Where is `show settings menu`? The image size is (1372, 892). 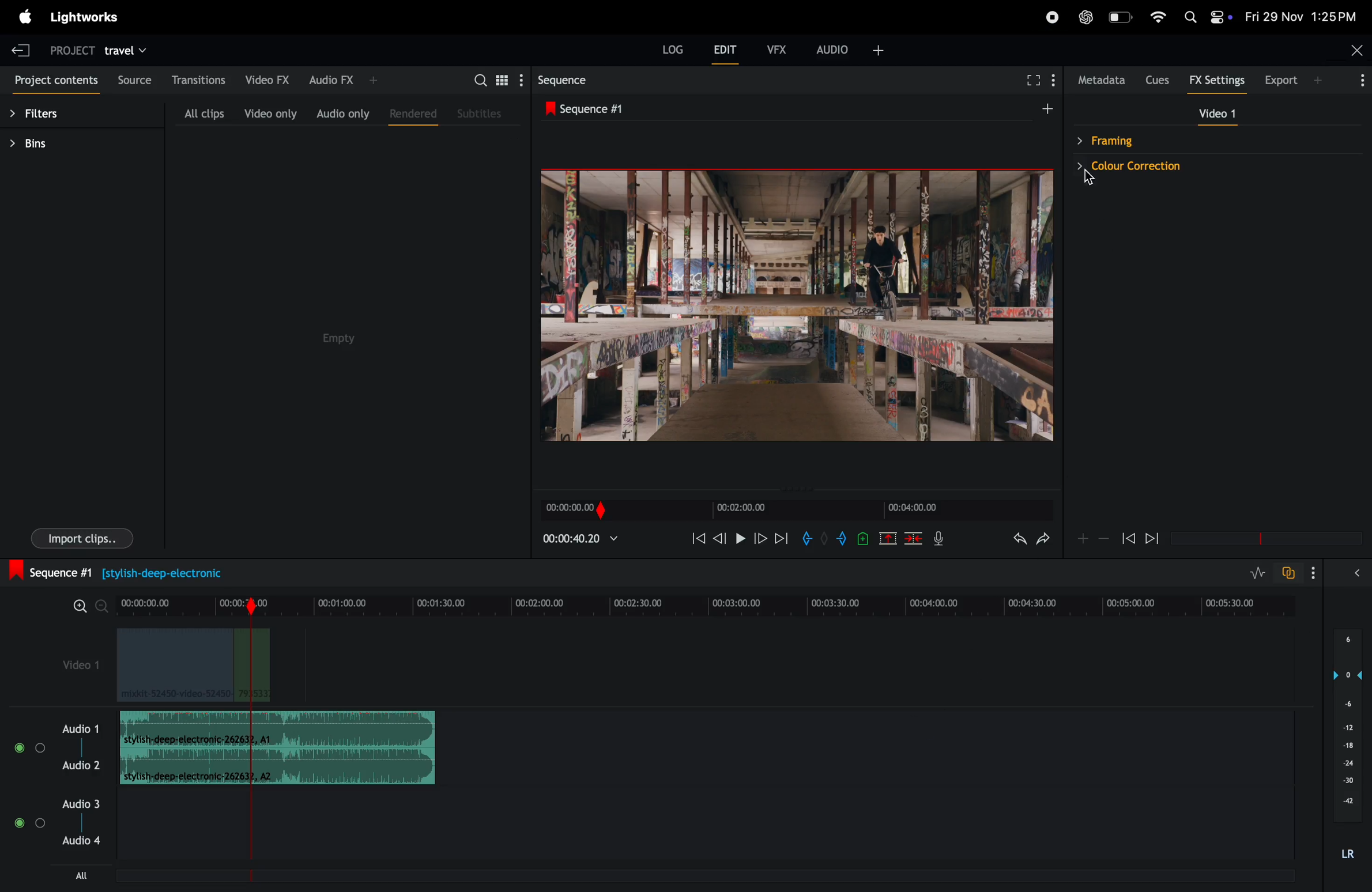 show settings menu is located at coordinates (1311, 571).